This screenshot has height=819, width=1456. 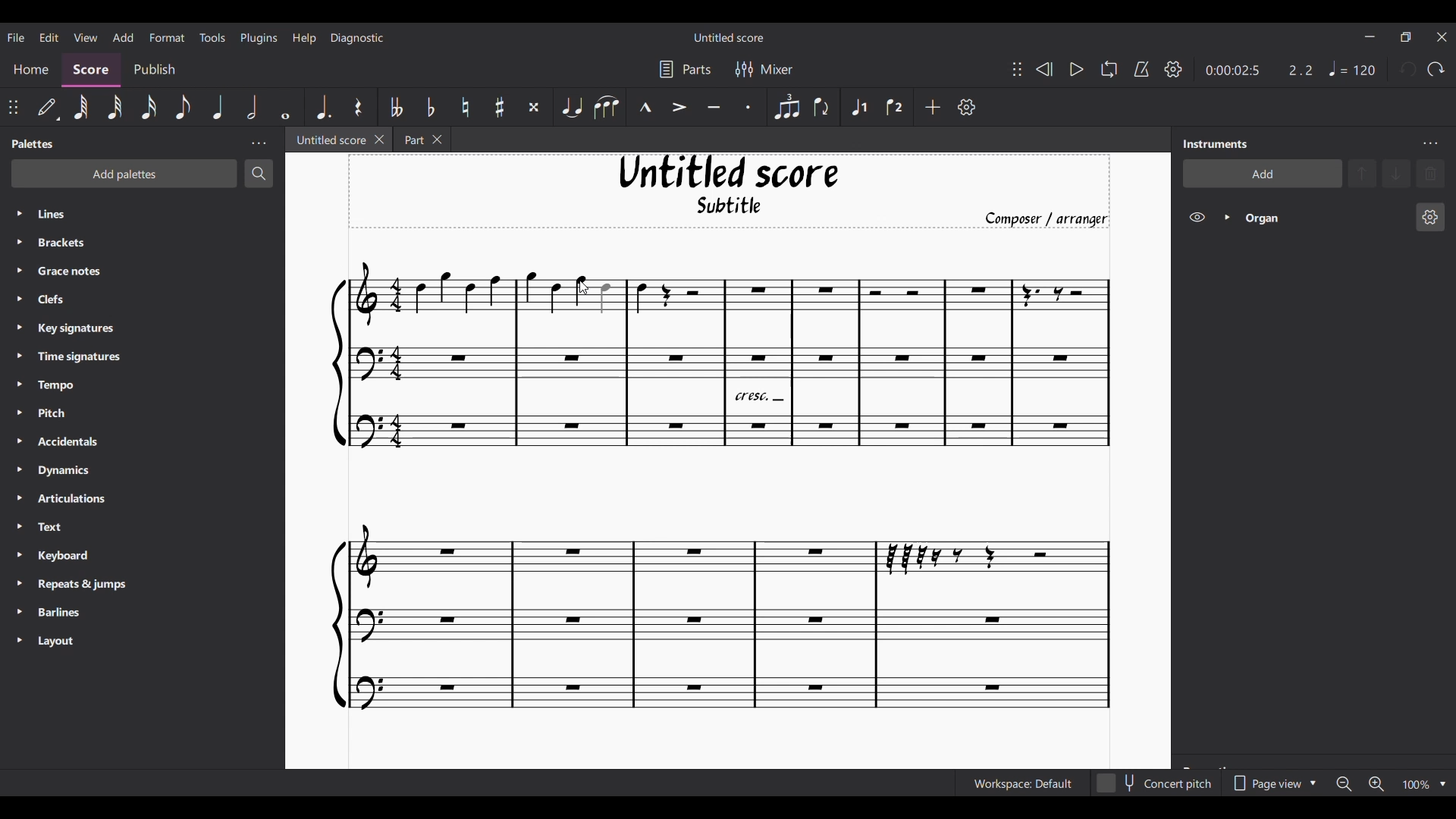 I want to click on Current duration and ratio, so click(x=1259, y=71).